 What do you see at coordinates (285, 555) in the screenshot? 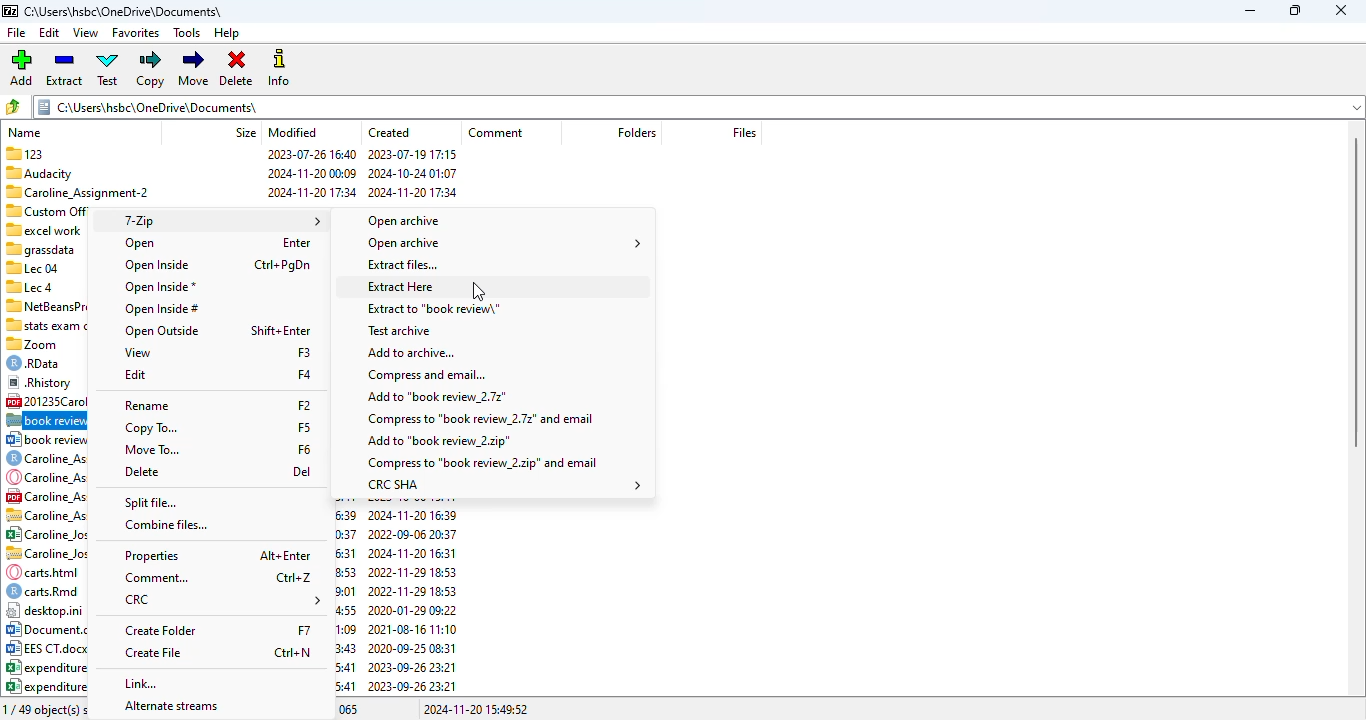
I see `shortcut for properties` at bounding box center [285, 555].